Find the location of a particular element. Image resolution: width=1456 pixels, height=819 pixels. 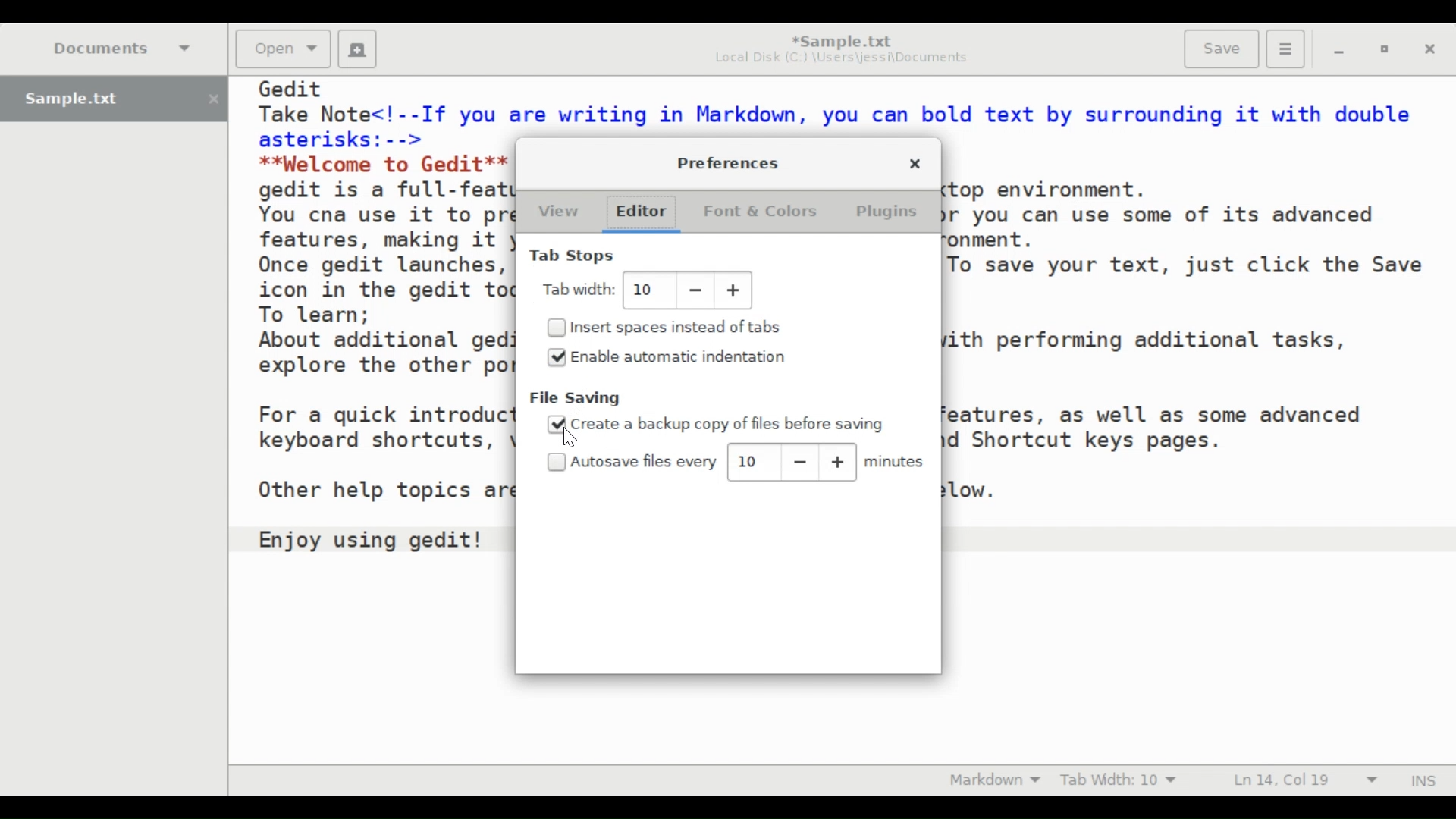

Application menu is located at coordinates (1285, 47).